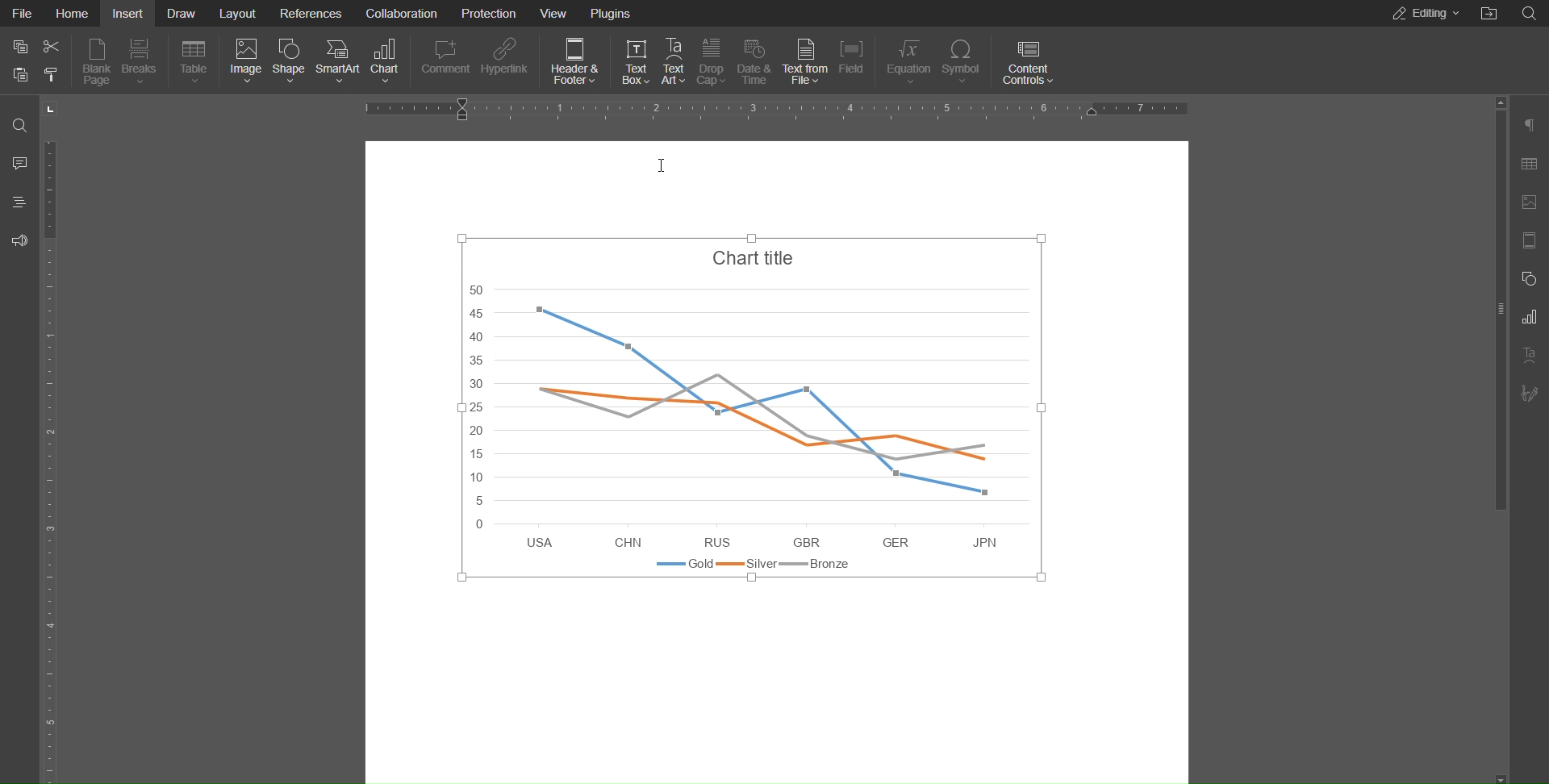  I want to click on Paragraph Settings, so click(1530, 127).